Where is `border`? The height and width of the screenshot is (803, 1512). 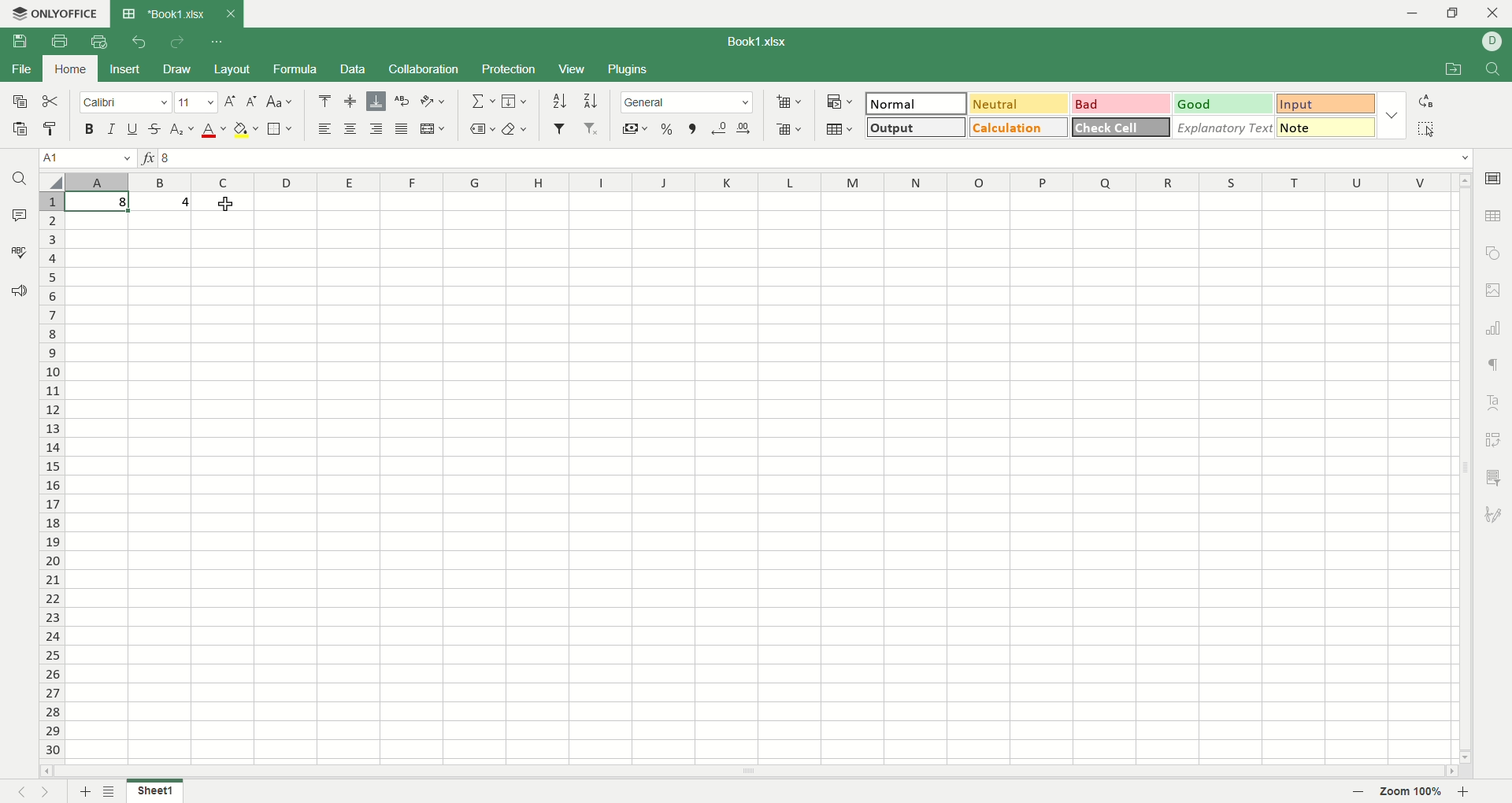
border is located at coordinates (280, 128).